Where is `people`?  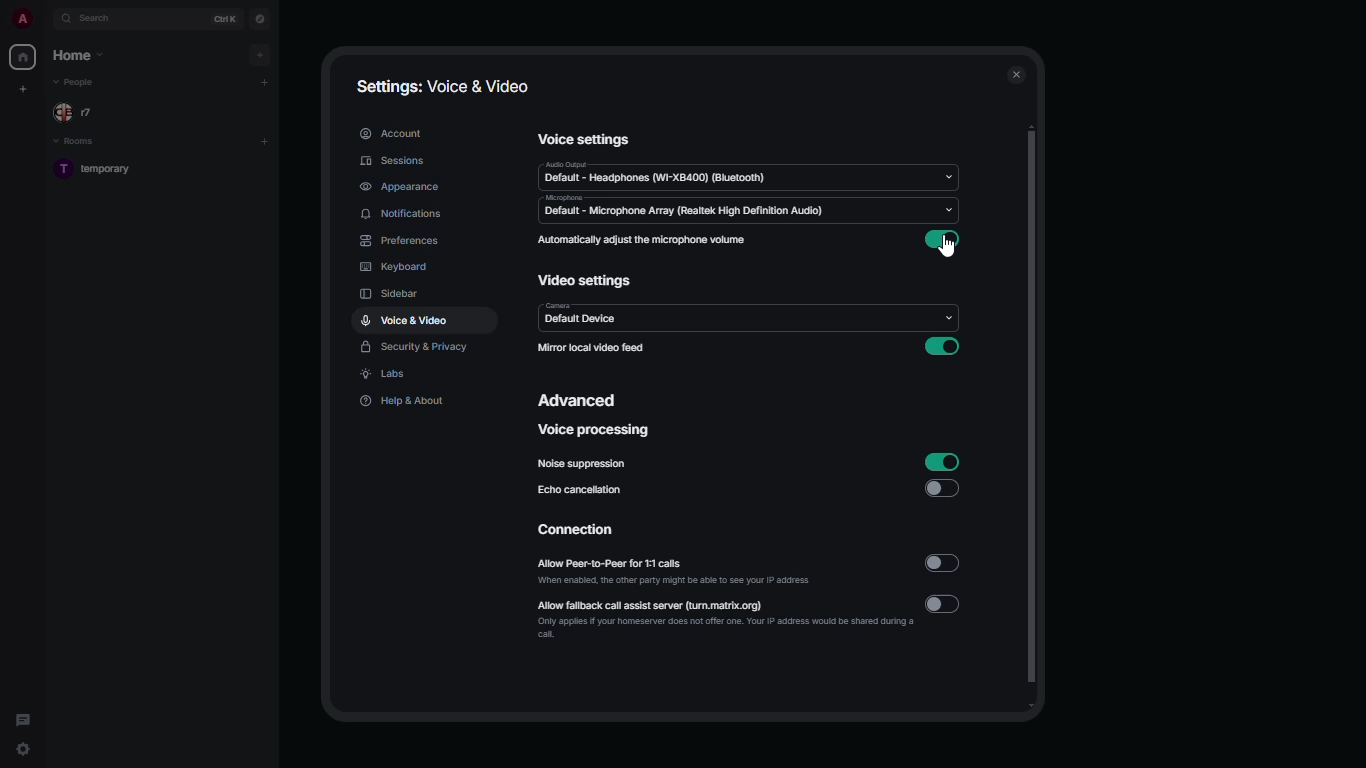
people is located at coordinates (77, 84).